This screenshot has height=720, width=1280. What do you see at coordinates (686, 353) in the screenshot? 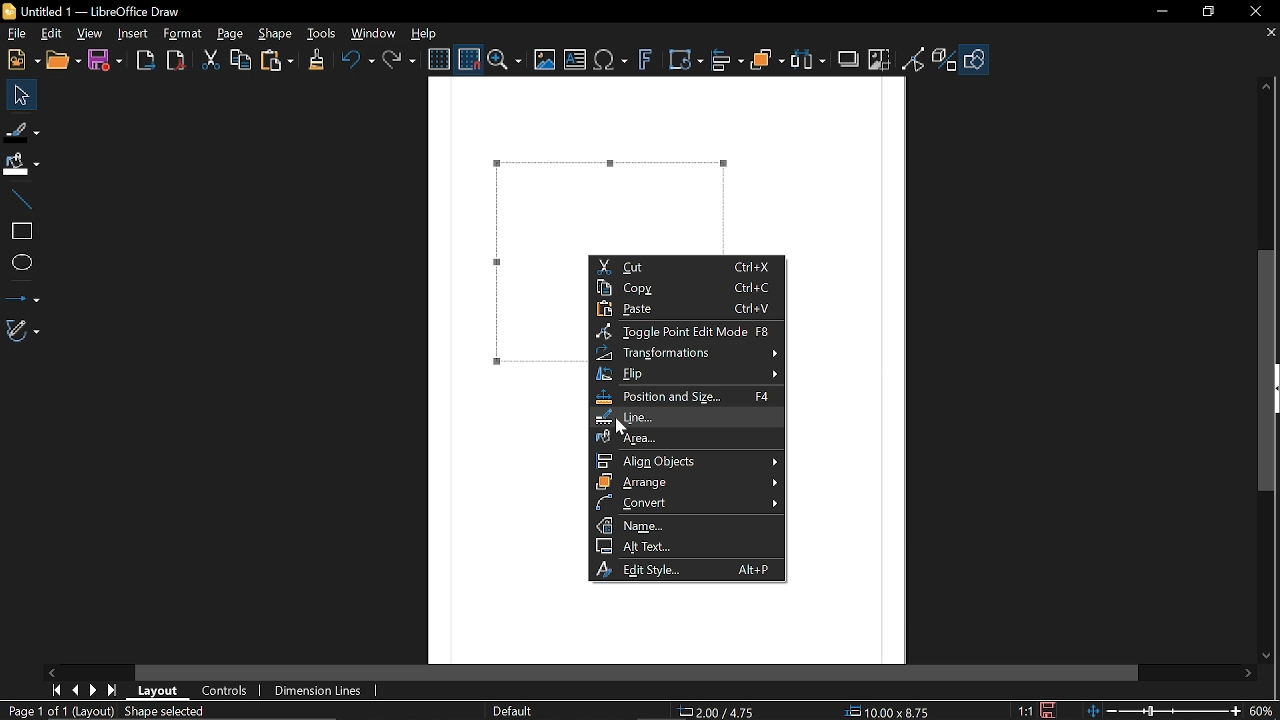
I see `Transformation` at bounding box center [686, 353].